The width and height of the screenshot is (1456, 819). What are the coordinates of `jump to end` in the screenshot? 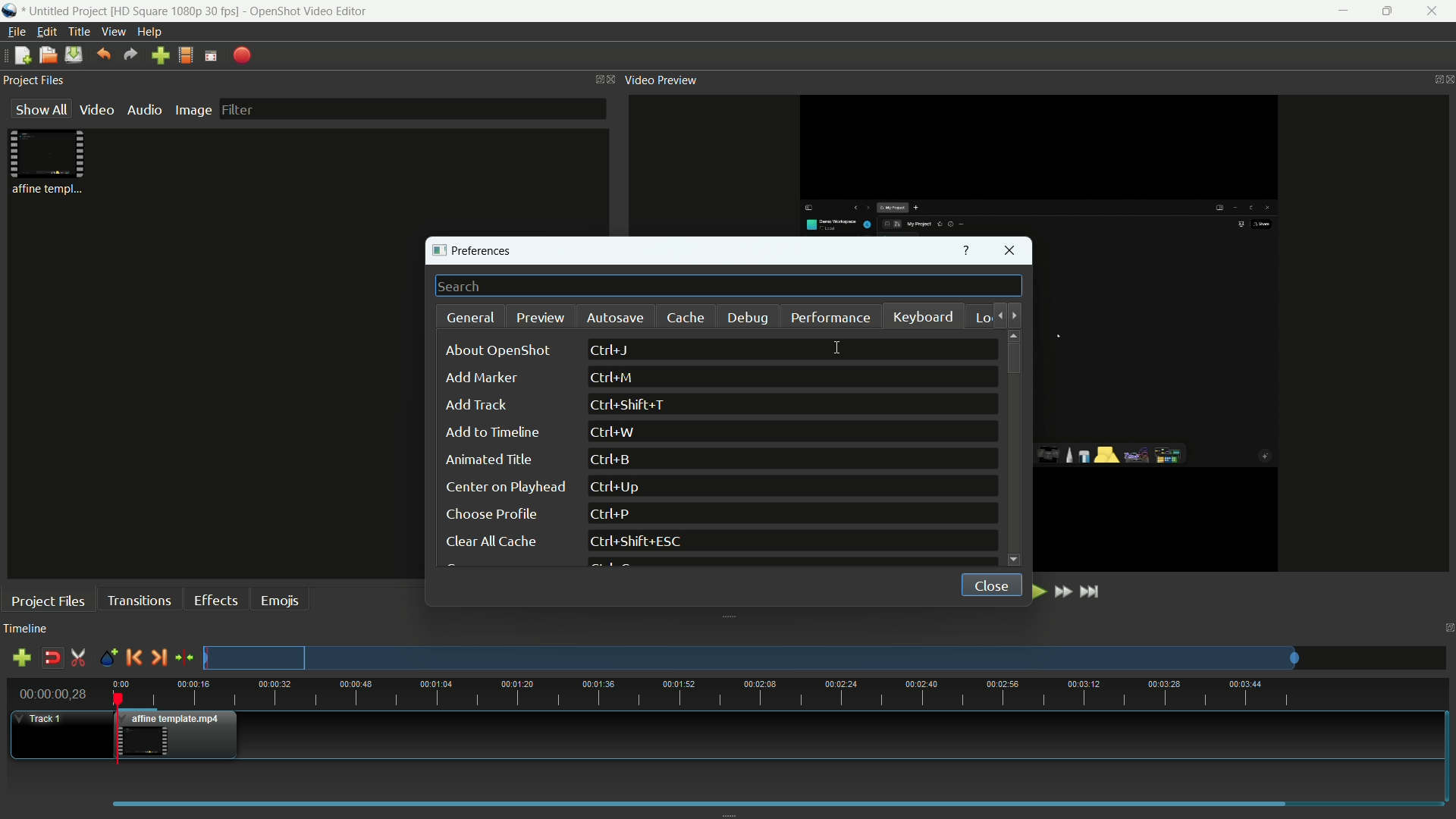 It's located at (1093, 591).